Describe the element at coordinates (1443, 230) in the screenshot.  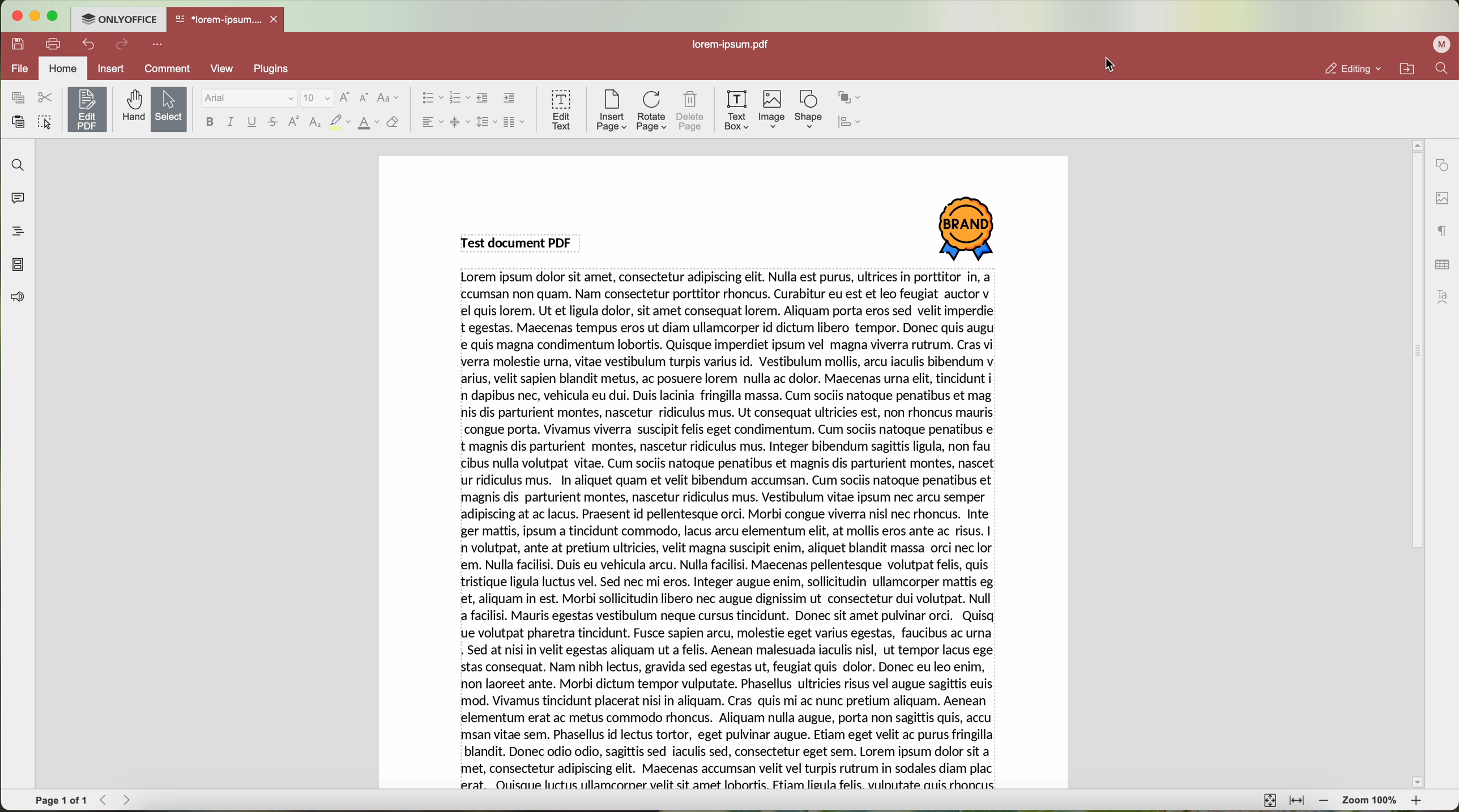
I see `paragraph settings` at that location.